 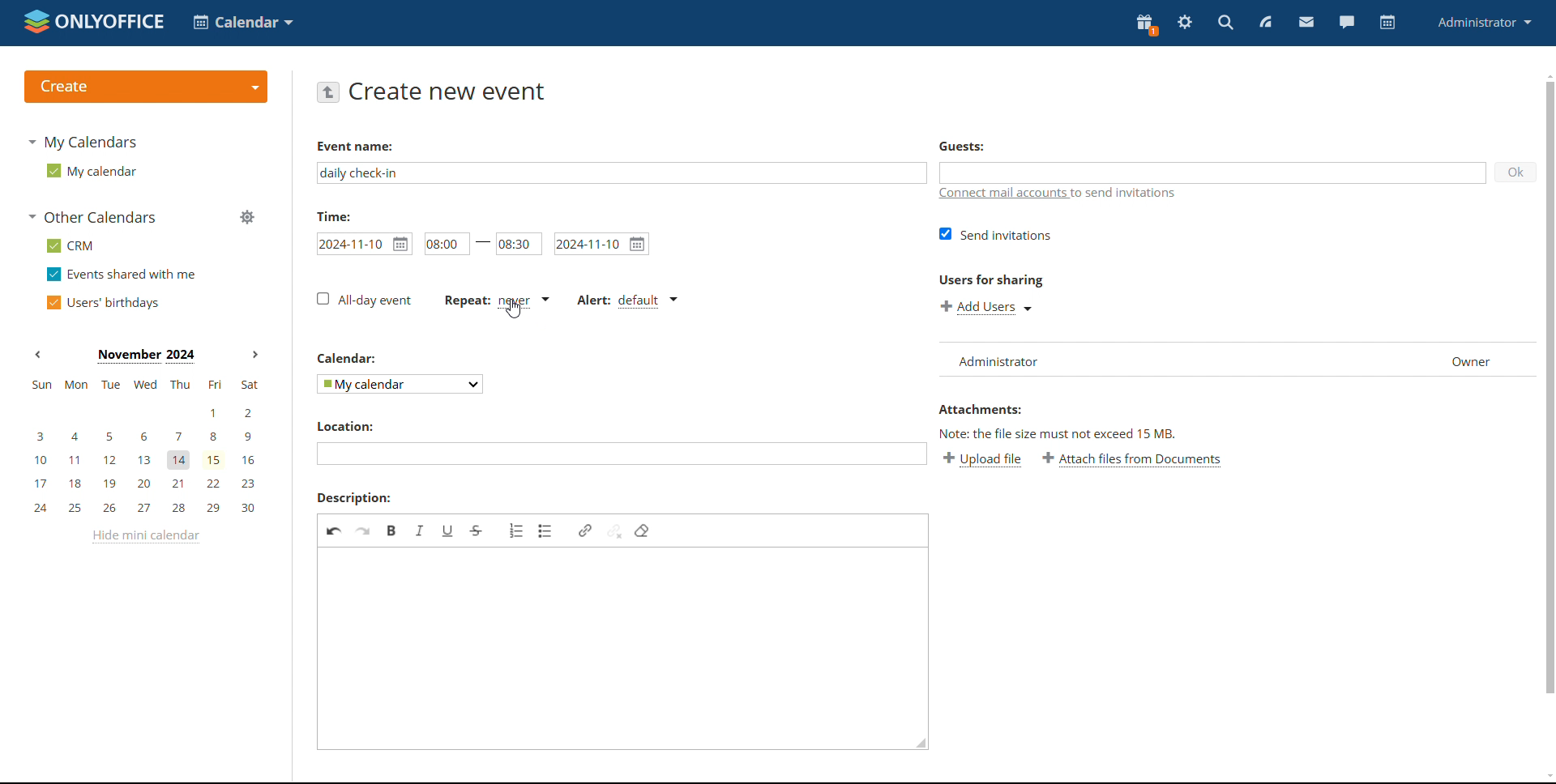 What do you see at coordinates (1346, 21) in the screenshot?
I see `chat` at bounding box center [1346, 21].